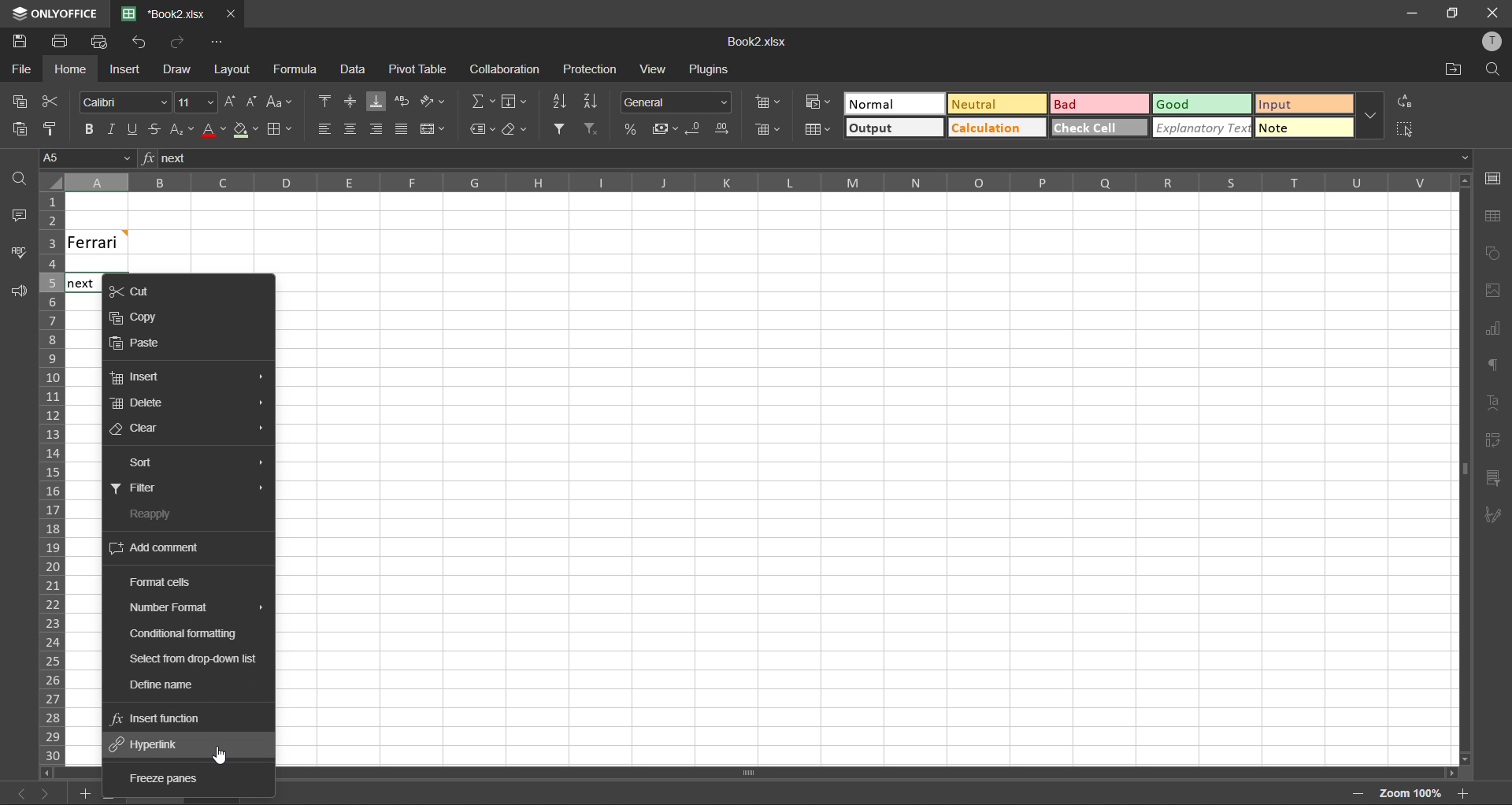 This screenshot has width=1512, height=805. Describe the element at coordinates (1490, 41) in the screenshot. I see `profile` at that location.